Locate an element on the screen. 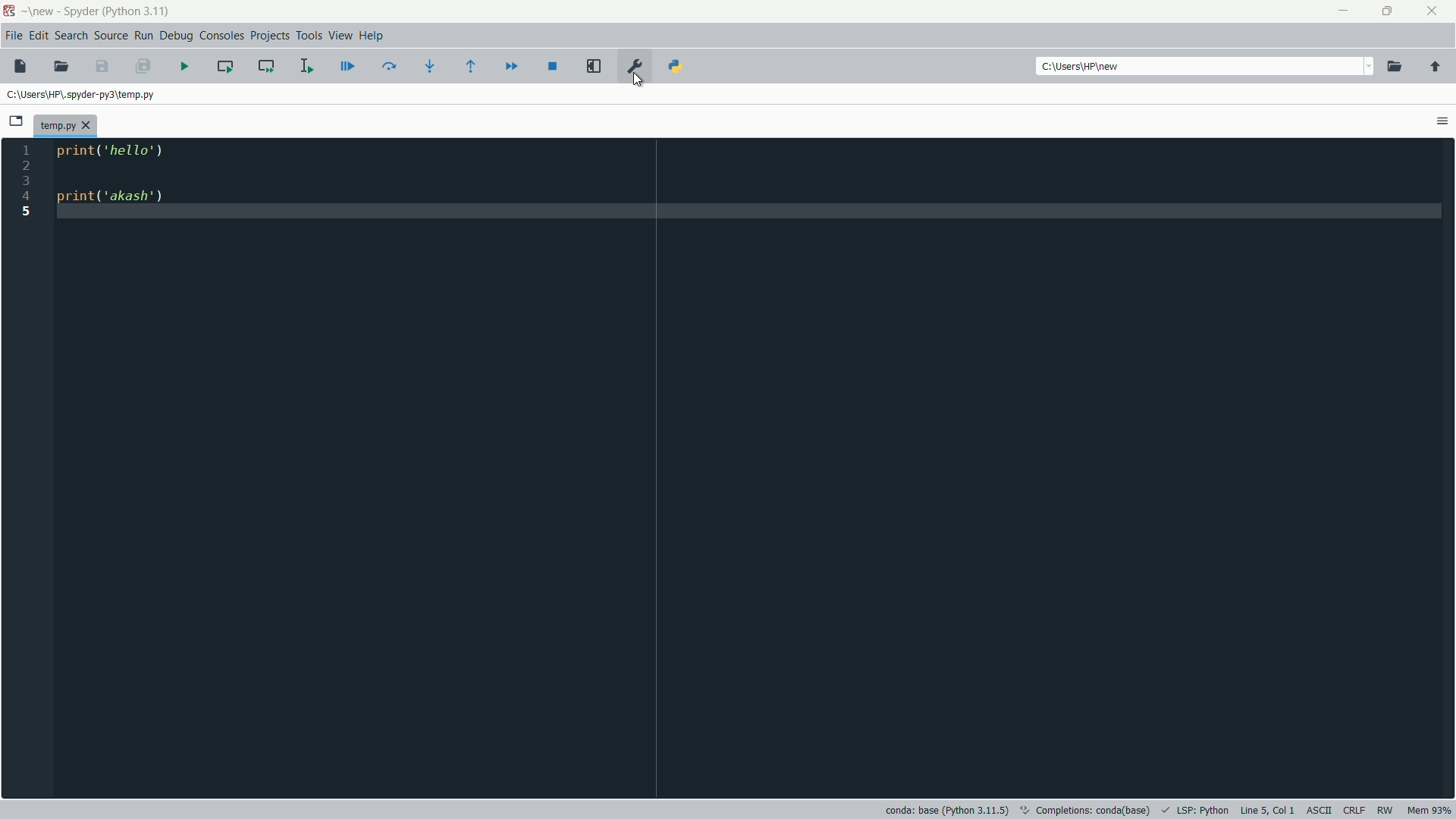 The height and width of the screenshot is (819, 1456). file directory is located at coordinates (83, 93).